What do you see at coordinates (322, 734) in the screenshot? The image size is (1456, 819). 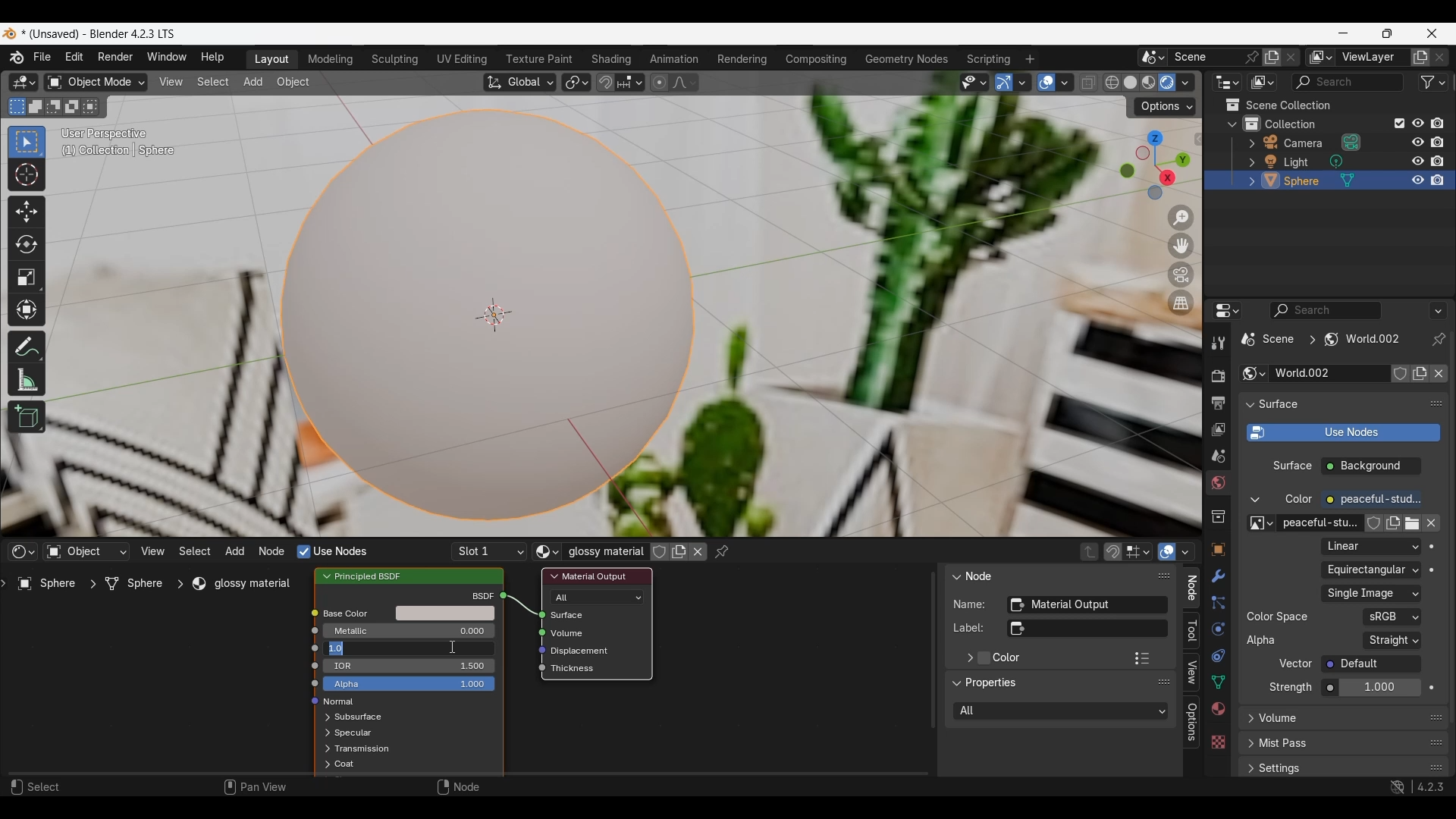 I see `expand respective scenes` at bounding box center [322, 734].